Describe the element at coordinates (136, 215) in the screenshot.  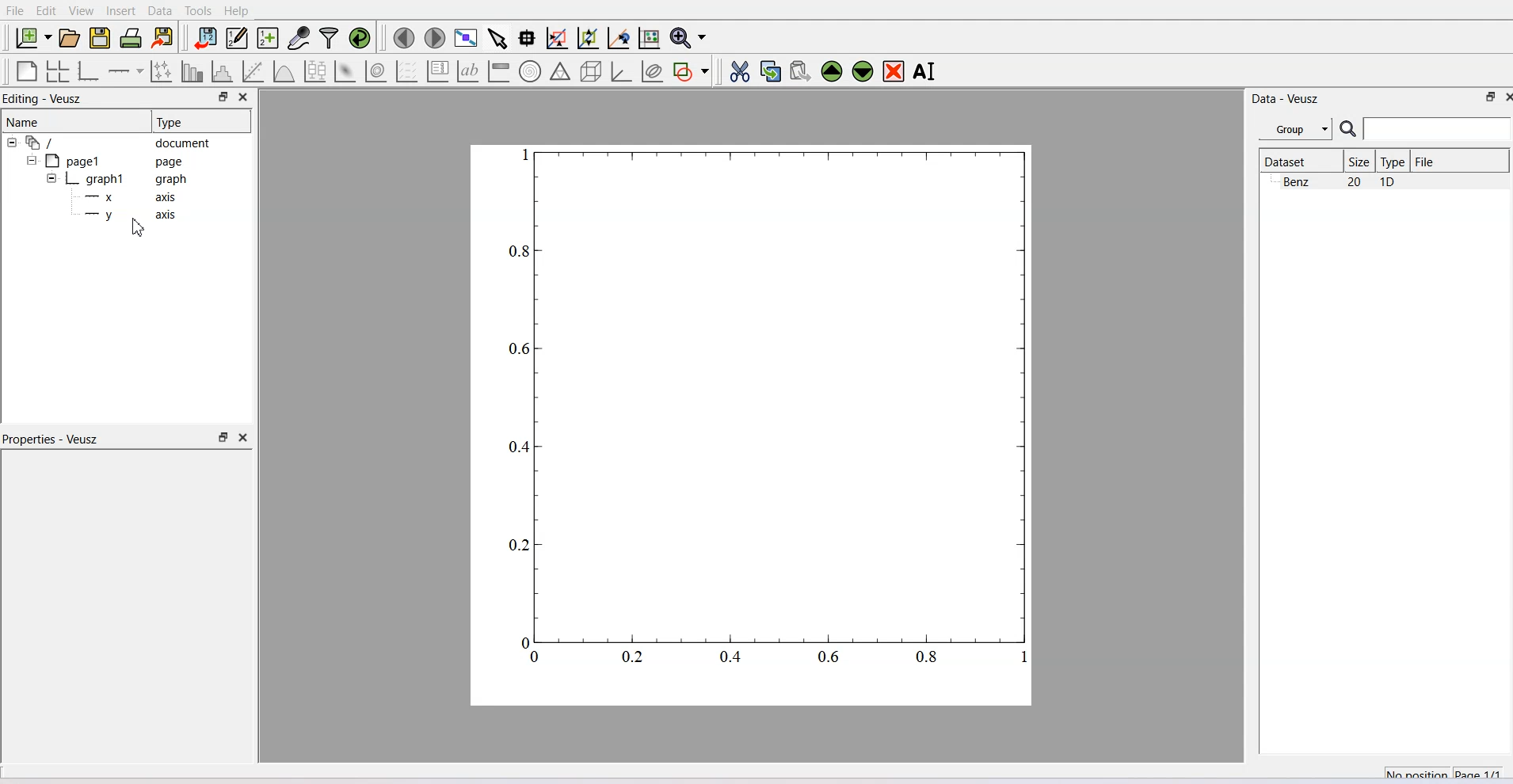
I see `Y Axis` at that location.